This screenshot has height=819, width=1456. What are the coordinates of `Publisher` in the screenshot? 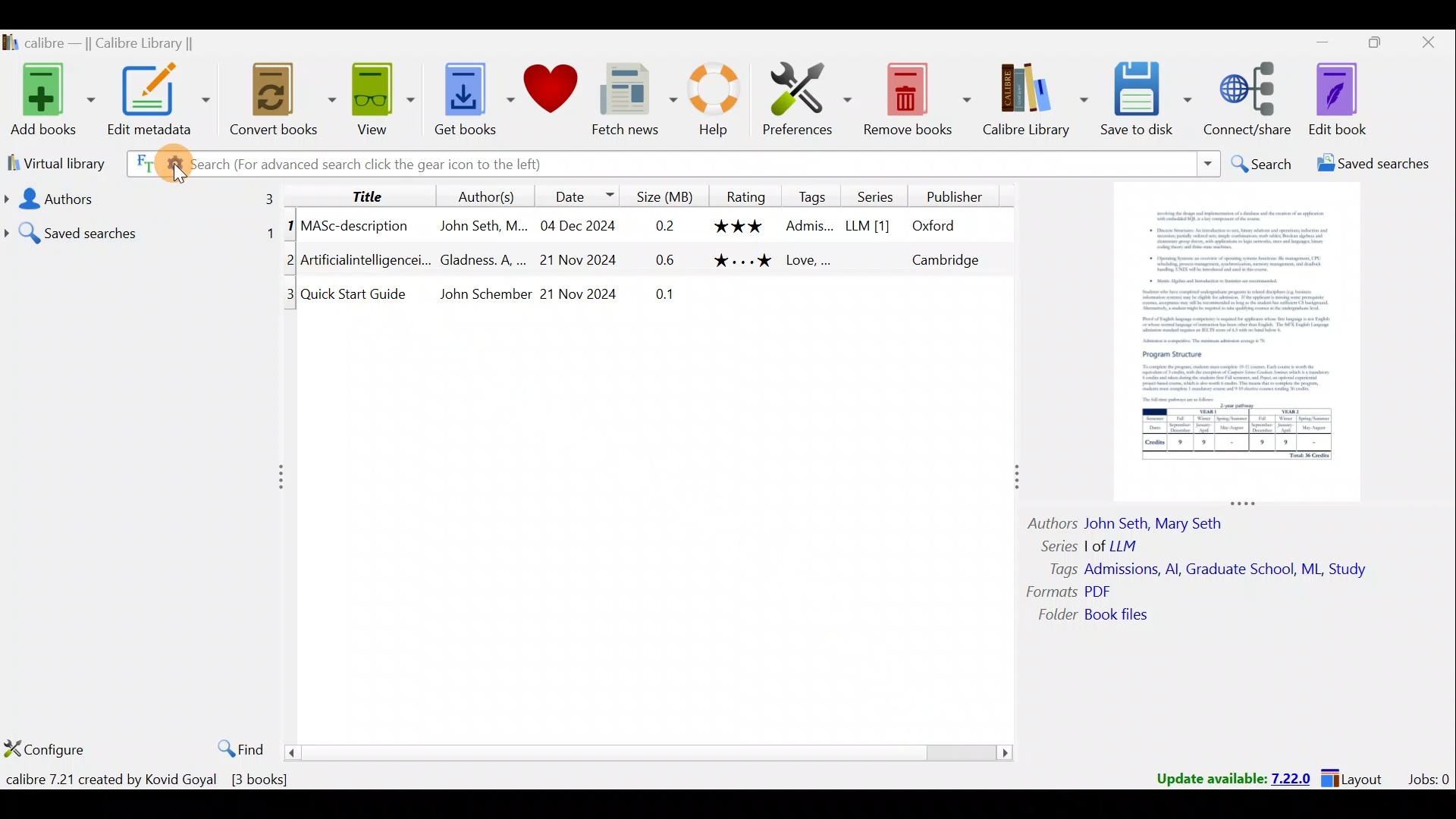 It's located at (957, 199).